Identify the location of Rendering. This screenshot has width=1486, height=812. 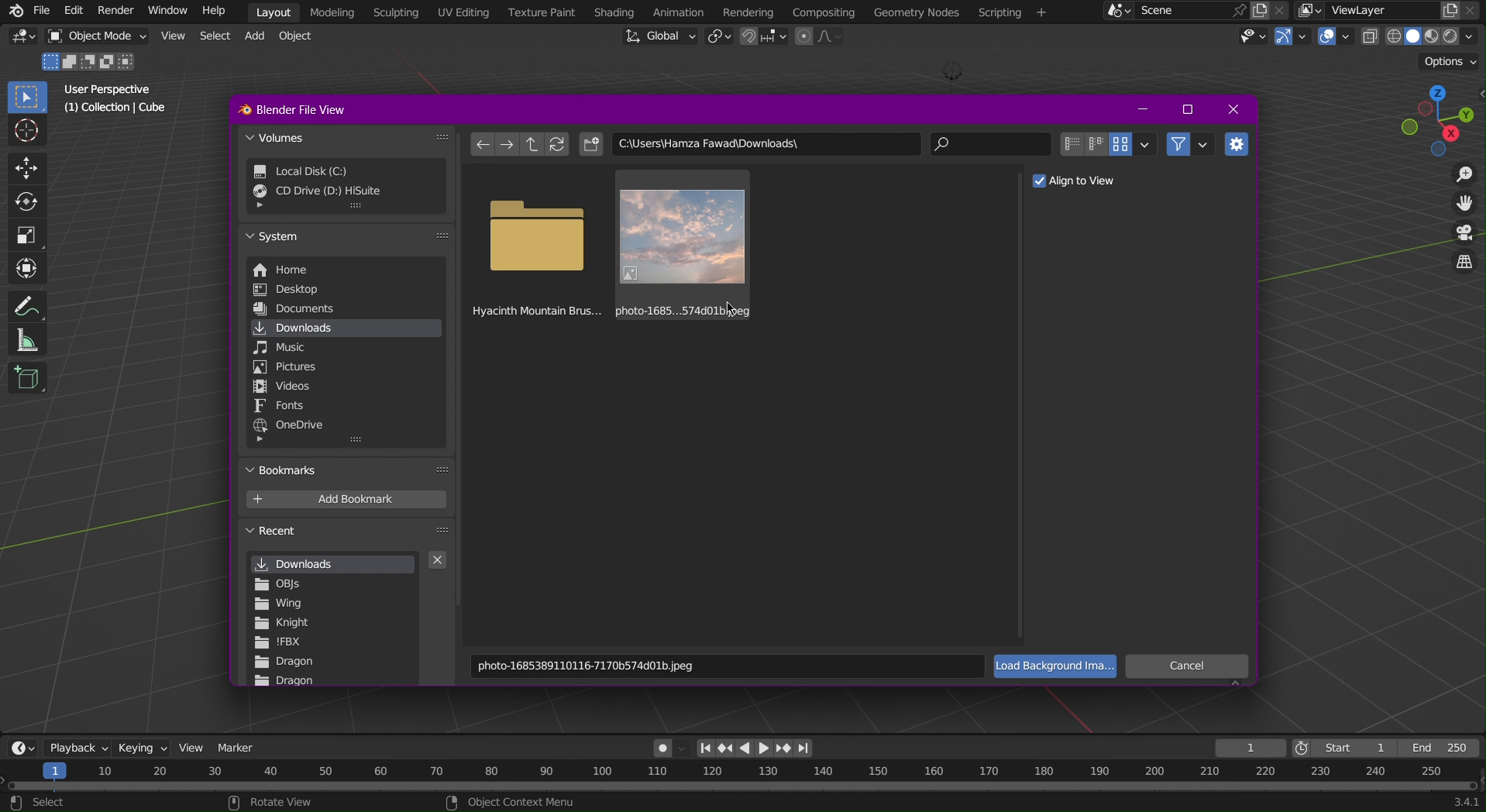
(748, 10).